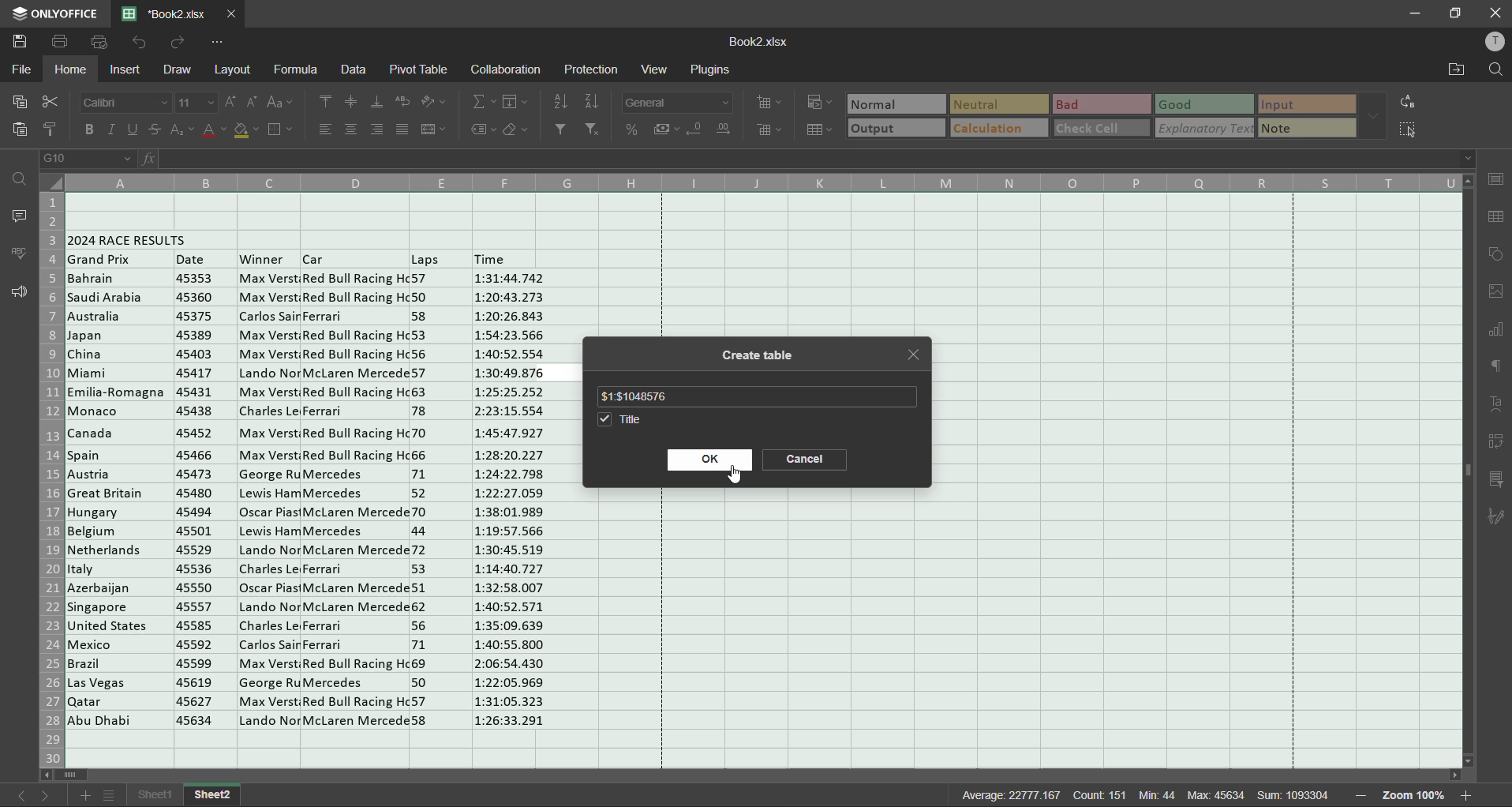 The image size is (1512, 807). I want to click on underline, so click(133, 131).